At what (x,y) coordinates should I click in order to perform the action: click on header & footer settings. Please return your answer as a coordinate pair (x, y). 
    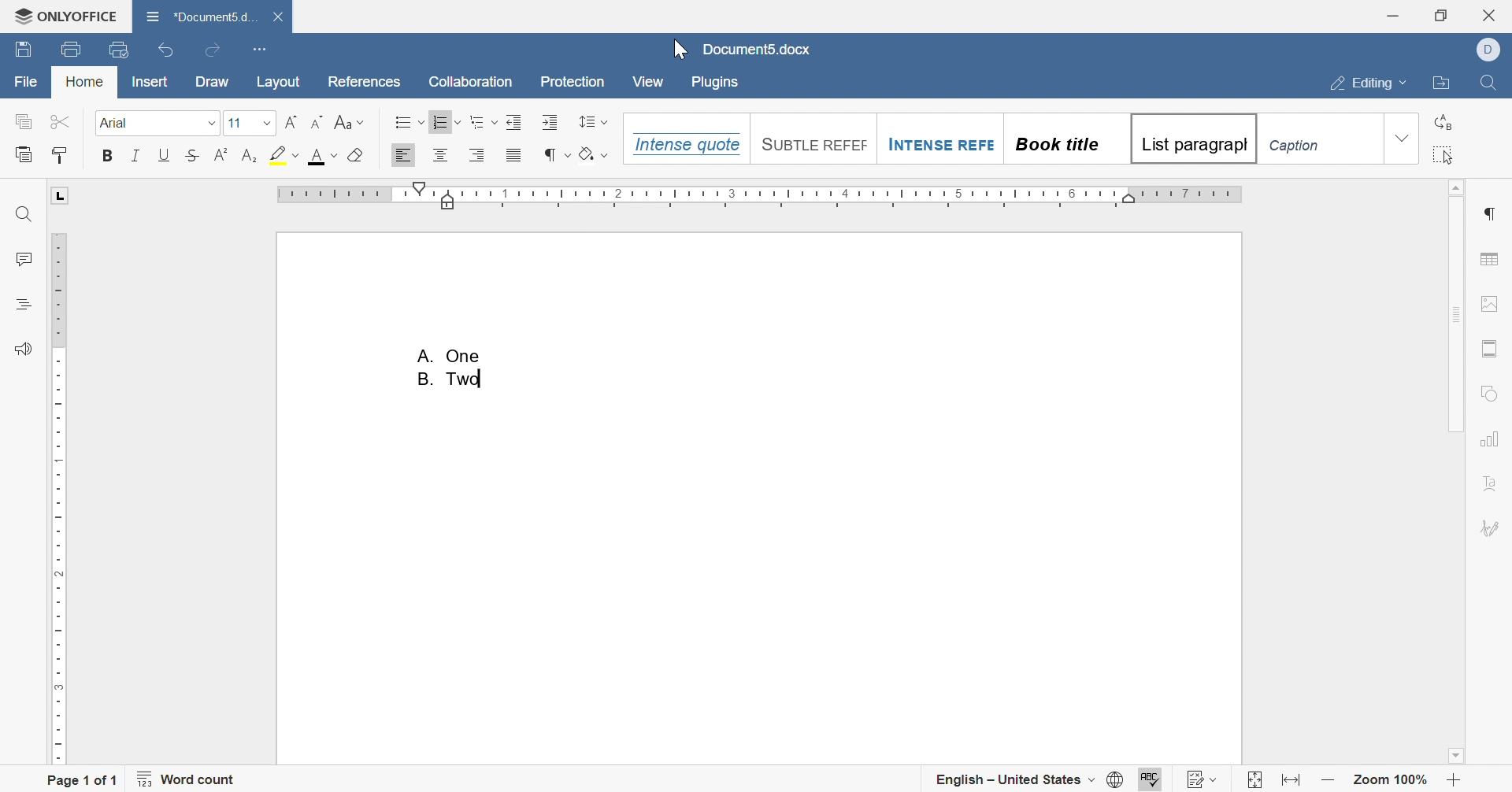
    Looking at the image, I should click on (1489, 347).